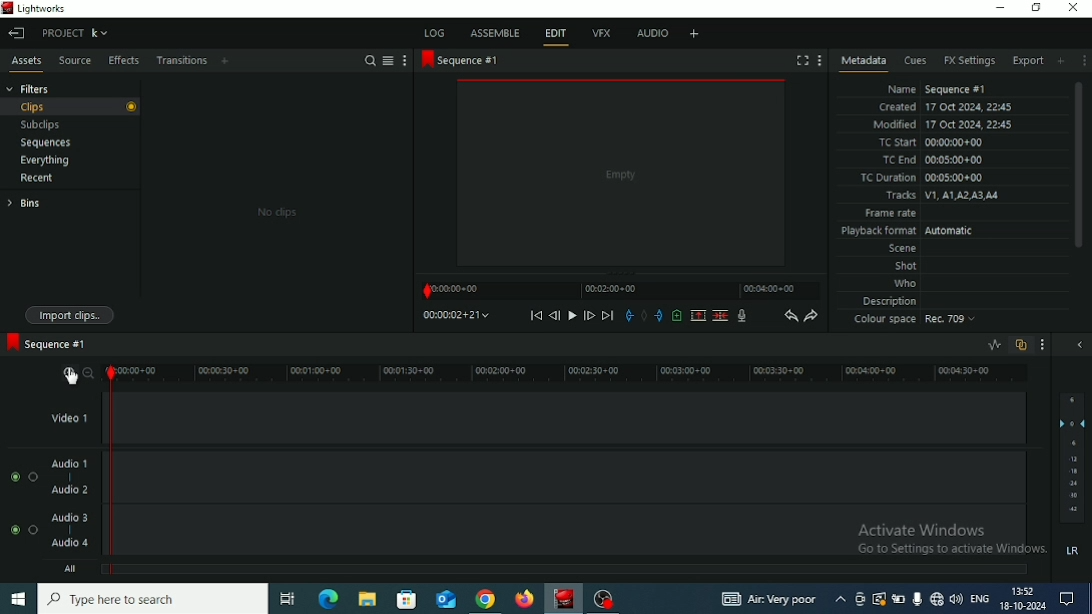 This screenshot has width=1092, height=614. Describe the element at coordinates (650, 33) in the screenshot. I see `AUDIO` at that location.